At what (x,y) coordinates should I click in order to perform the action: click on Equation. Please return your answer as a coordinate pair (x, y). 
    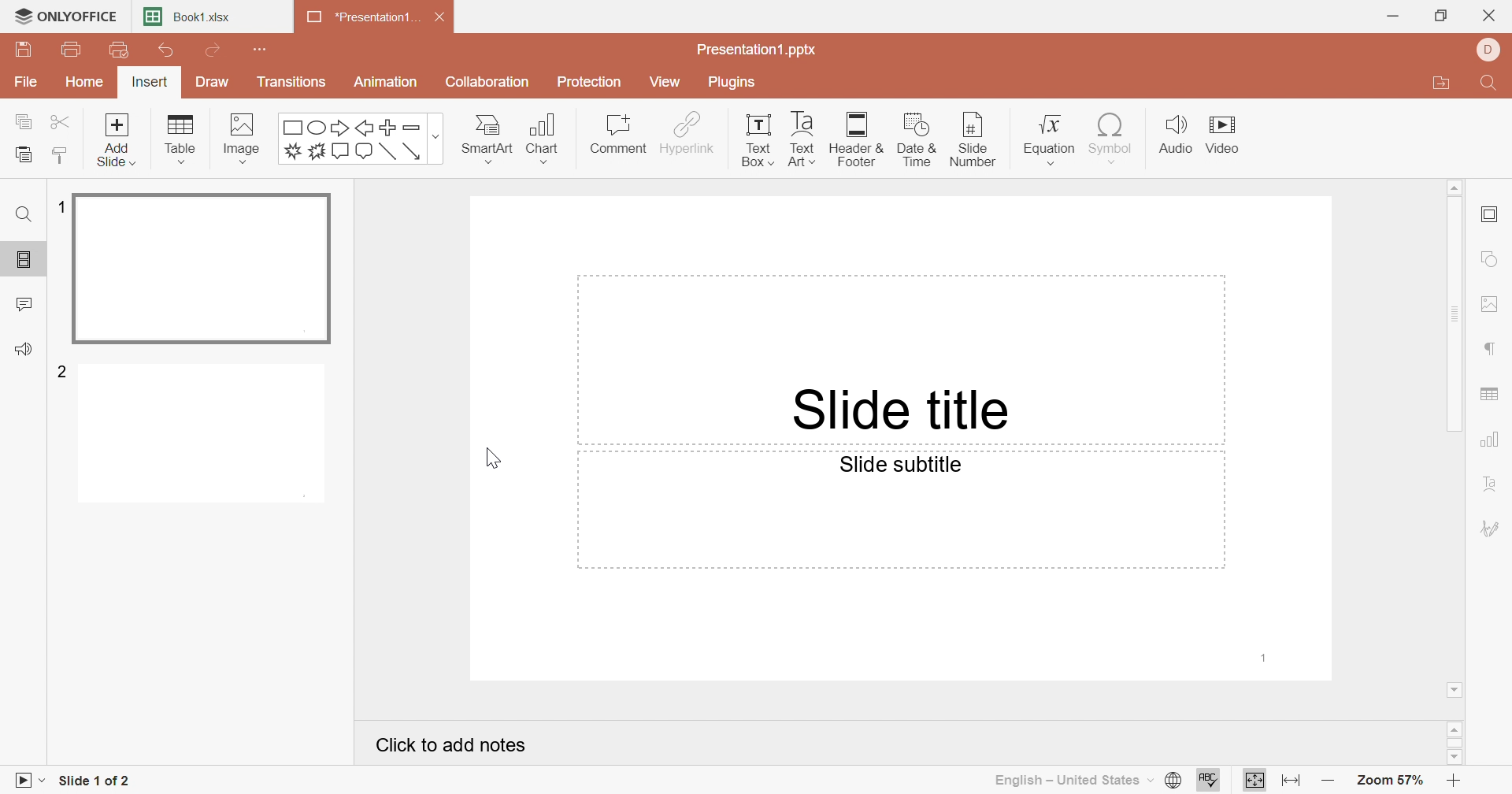
    Looking at the image, I should click on (1043, 137).